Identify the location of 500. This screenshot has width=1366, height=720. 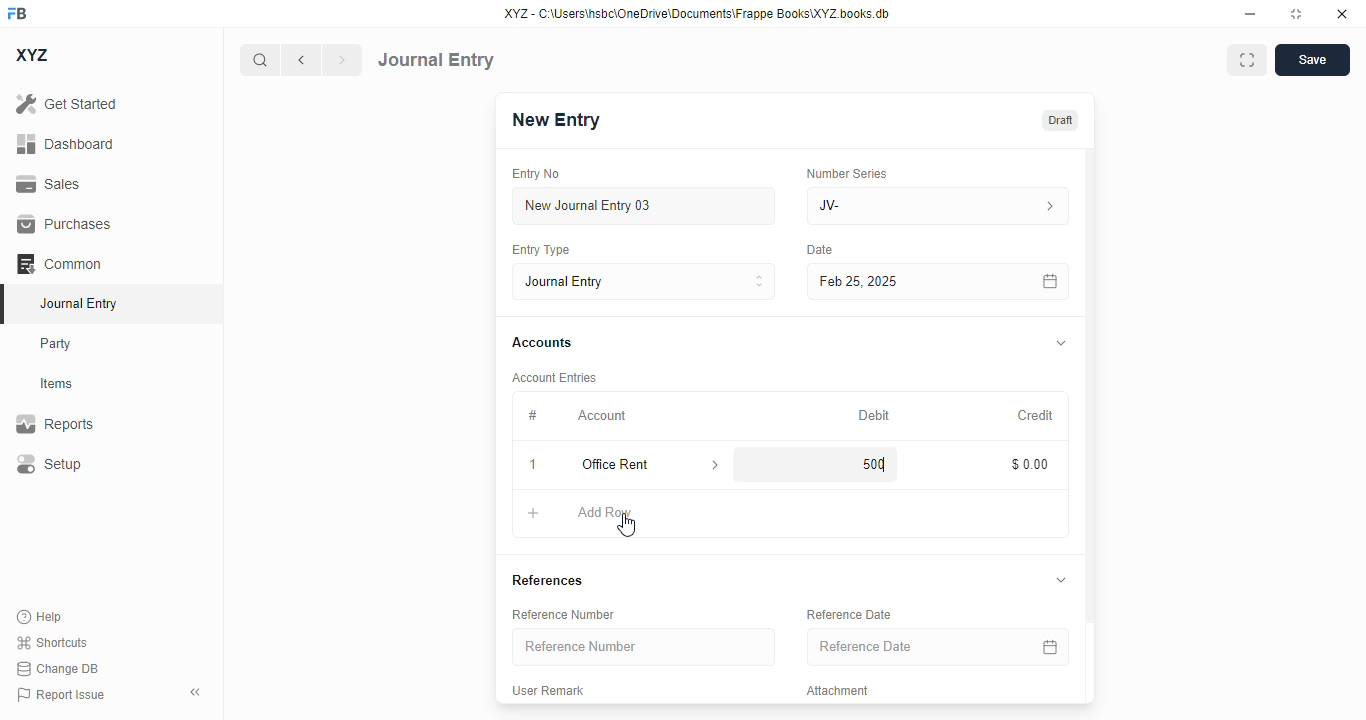
(868, 464).